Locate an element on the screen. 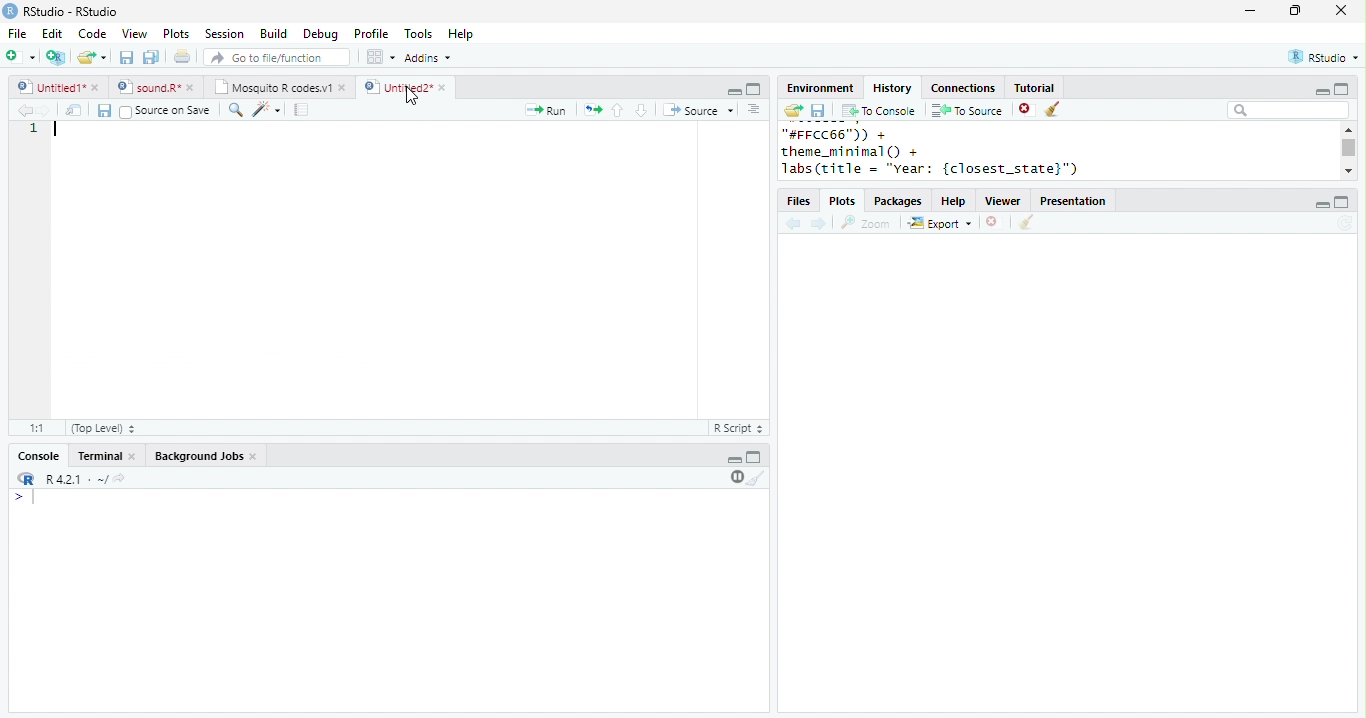 The height and width of the screenshot is (718, 1366). minimize is located at coordinates (734, 460).